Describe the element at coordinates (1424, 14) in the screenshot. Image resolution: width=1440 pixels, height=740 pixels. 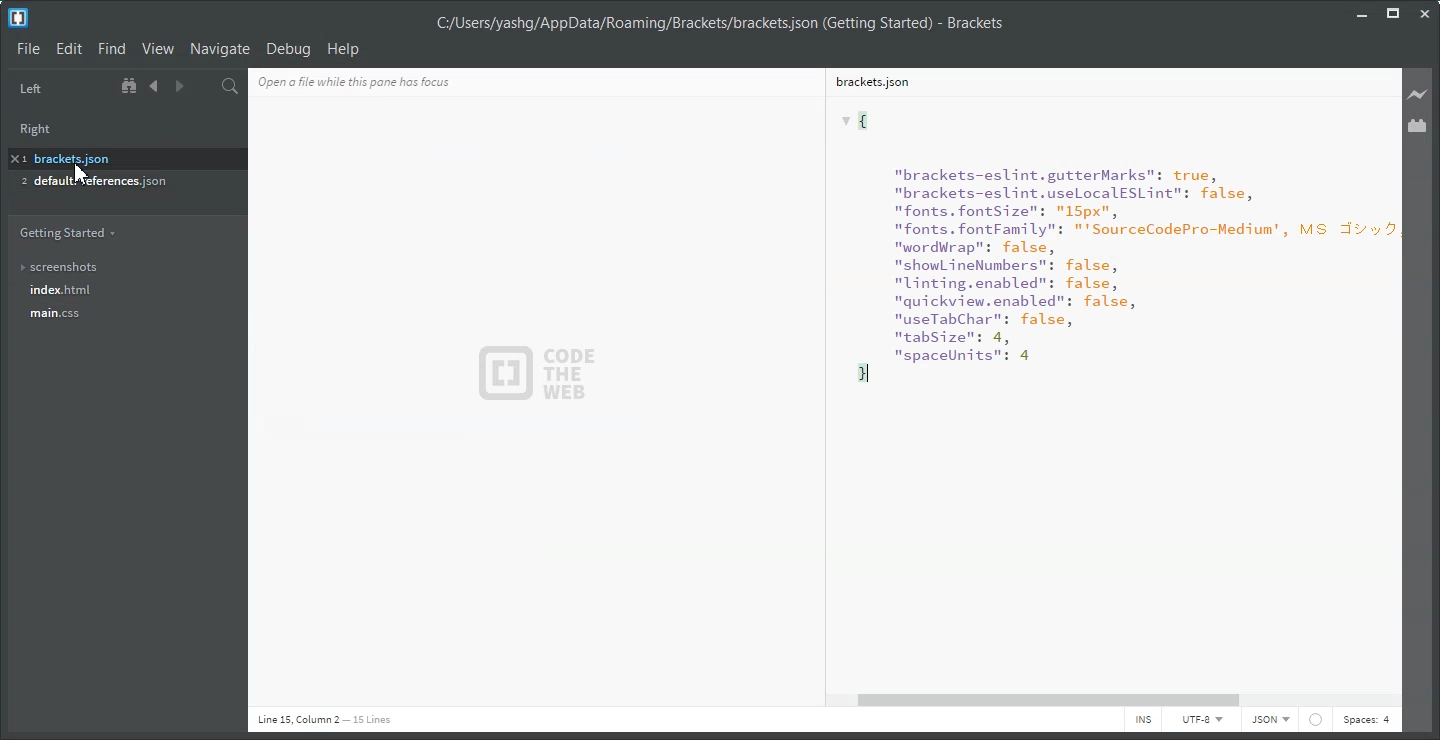
I see `Close` at that location.